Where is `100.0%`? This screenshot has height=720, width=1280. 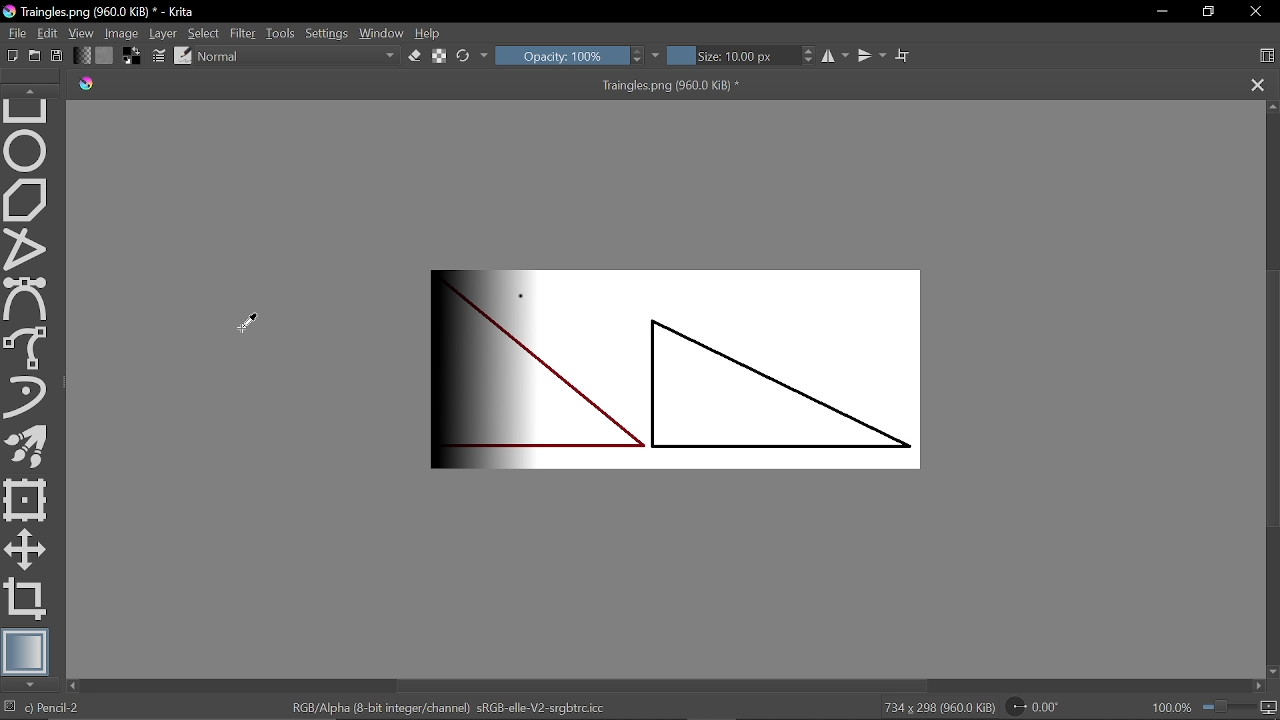
100.0% is located at coordinates (1215, 707).